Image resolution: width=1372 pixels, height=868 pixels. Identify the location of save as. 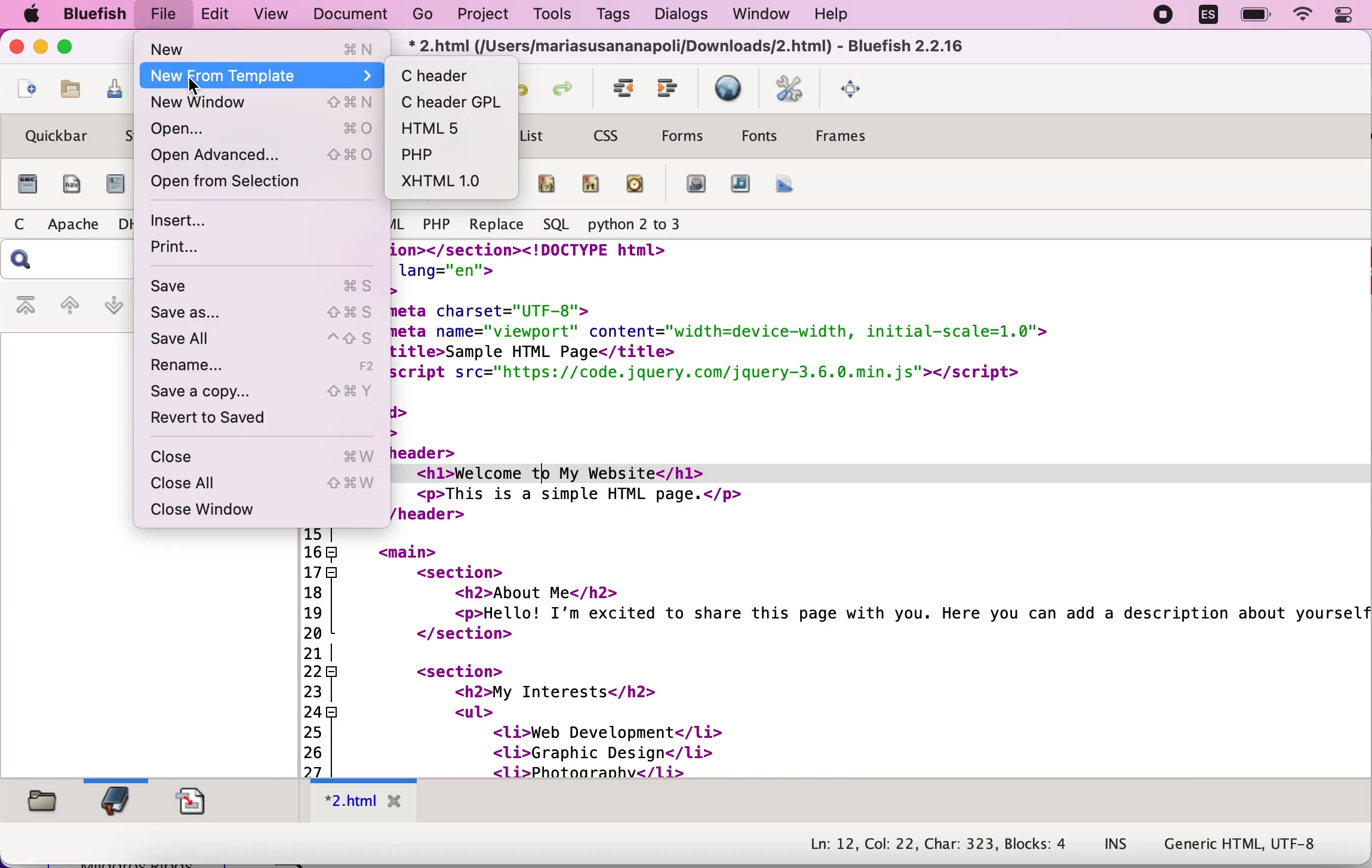
(267, 313).